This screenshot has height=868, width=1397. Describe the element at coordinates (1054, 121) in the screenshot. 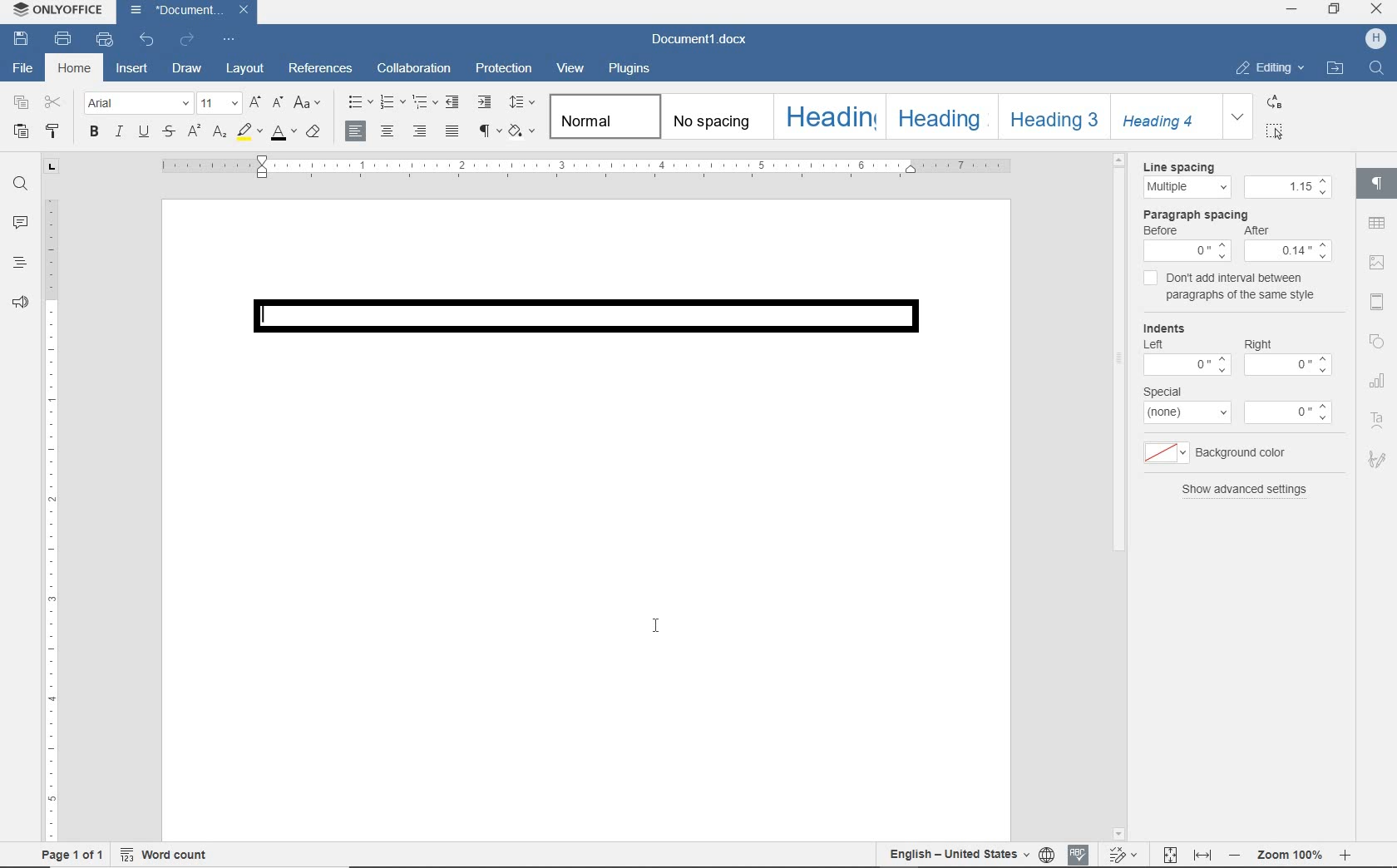

I see `heading3` at that location.